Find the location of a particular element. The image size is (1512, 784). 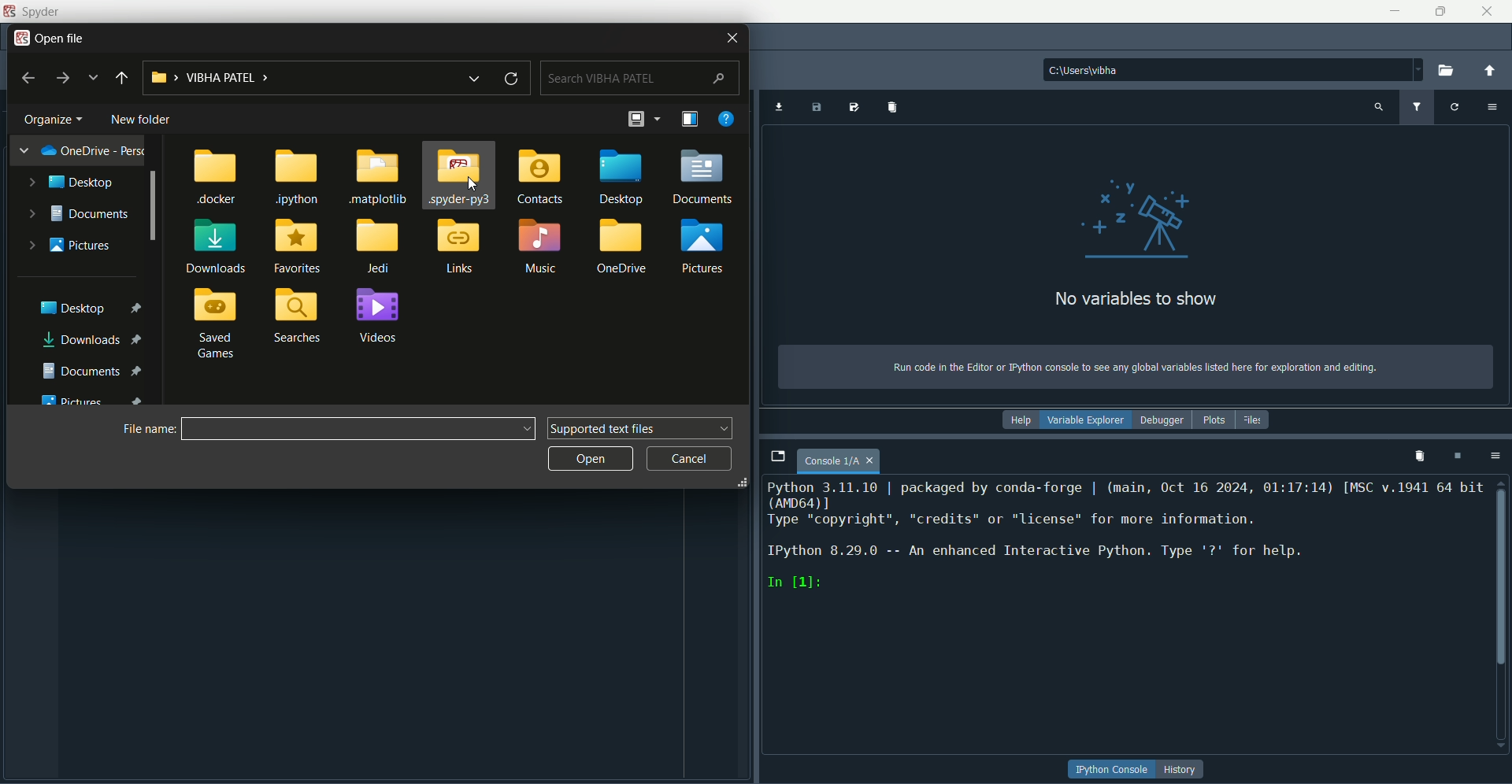

folder is located at coordinates (380, 176).